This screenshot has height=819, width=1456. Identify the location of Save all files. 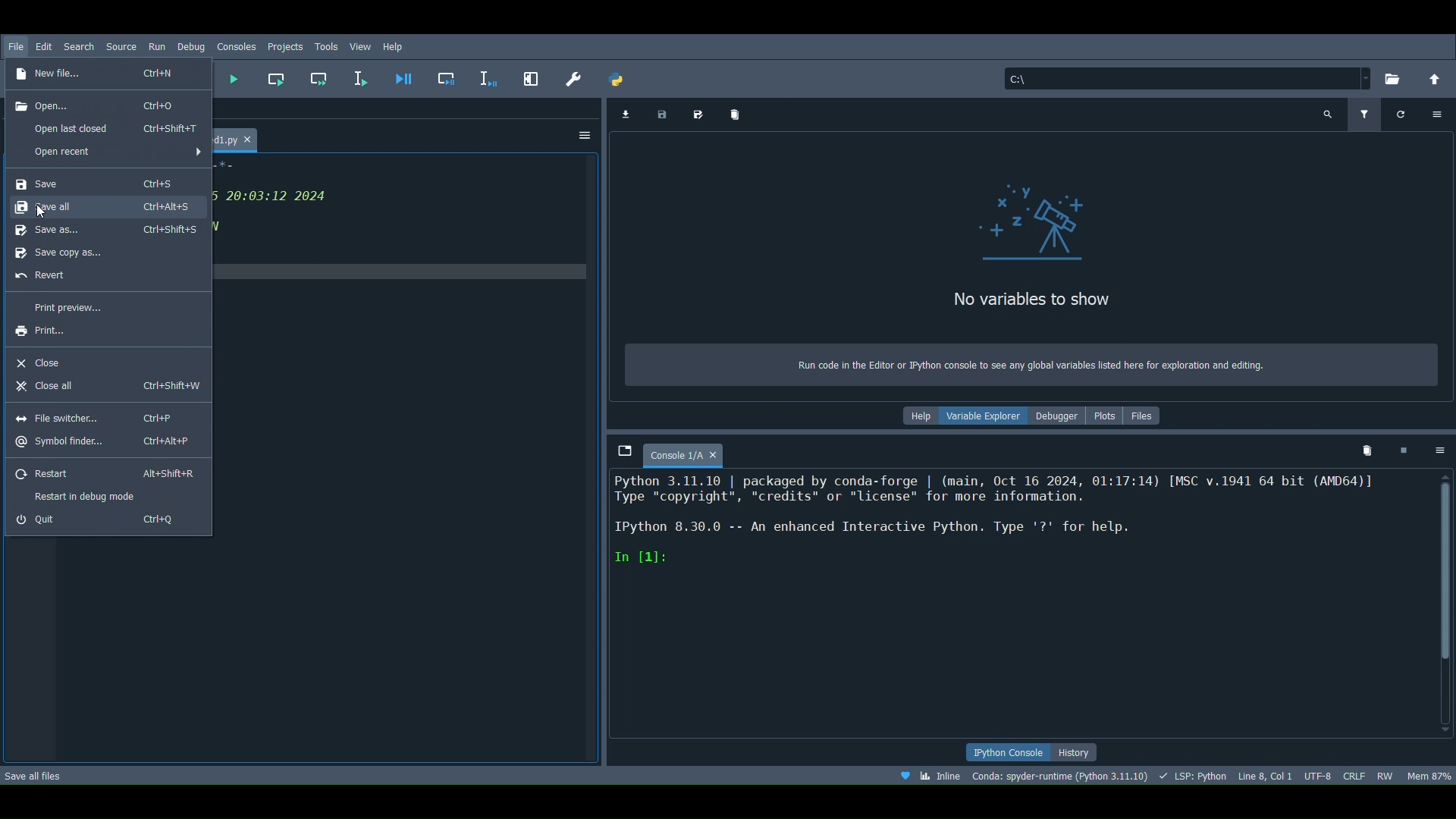
(34, 775).